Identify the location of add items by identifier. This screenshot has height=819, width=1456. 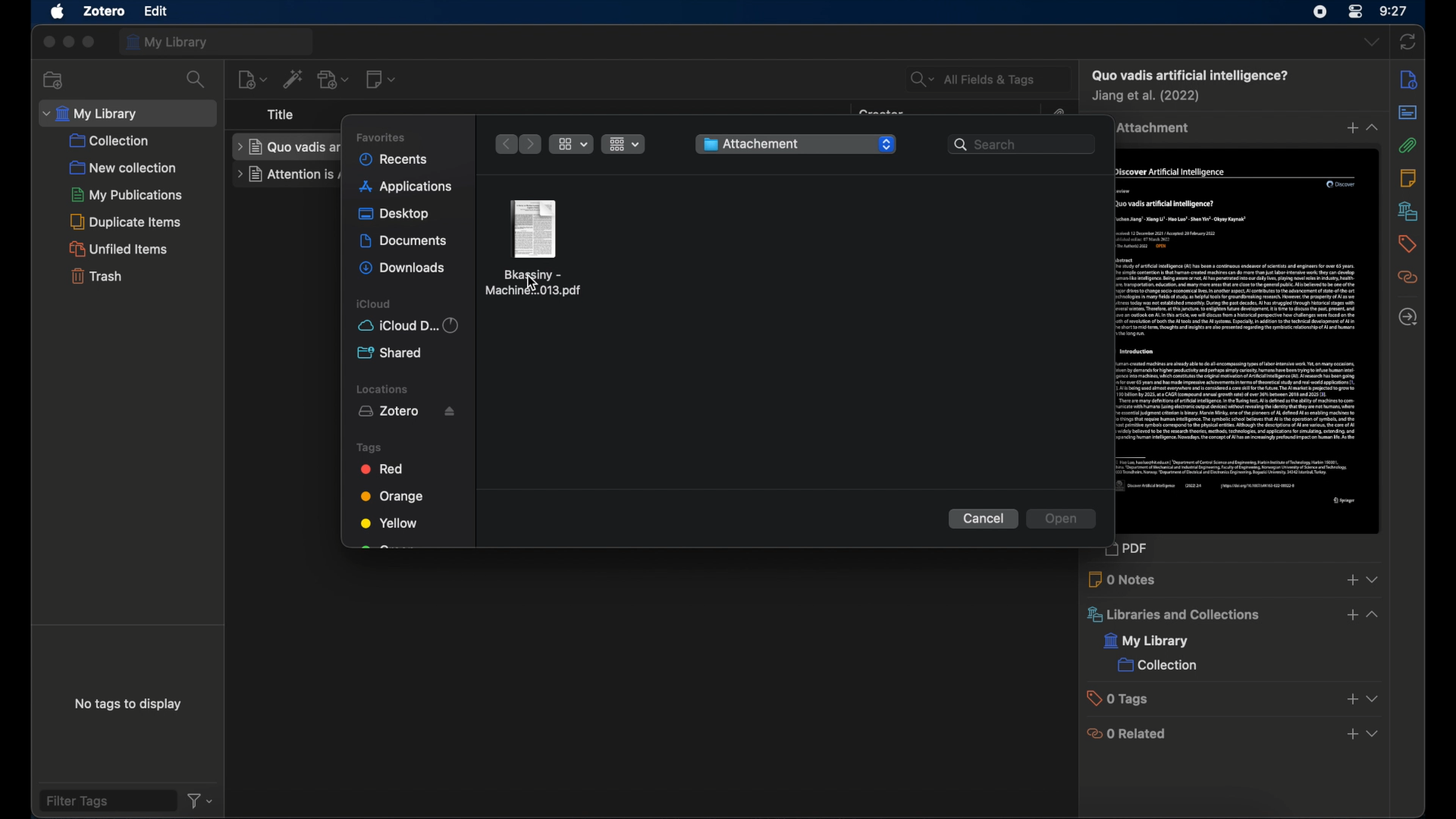
(293, 78).